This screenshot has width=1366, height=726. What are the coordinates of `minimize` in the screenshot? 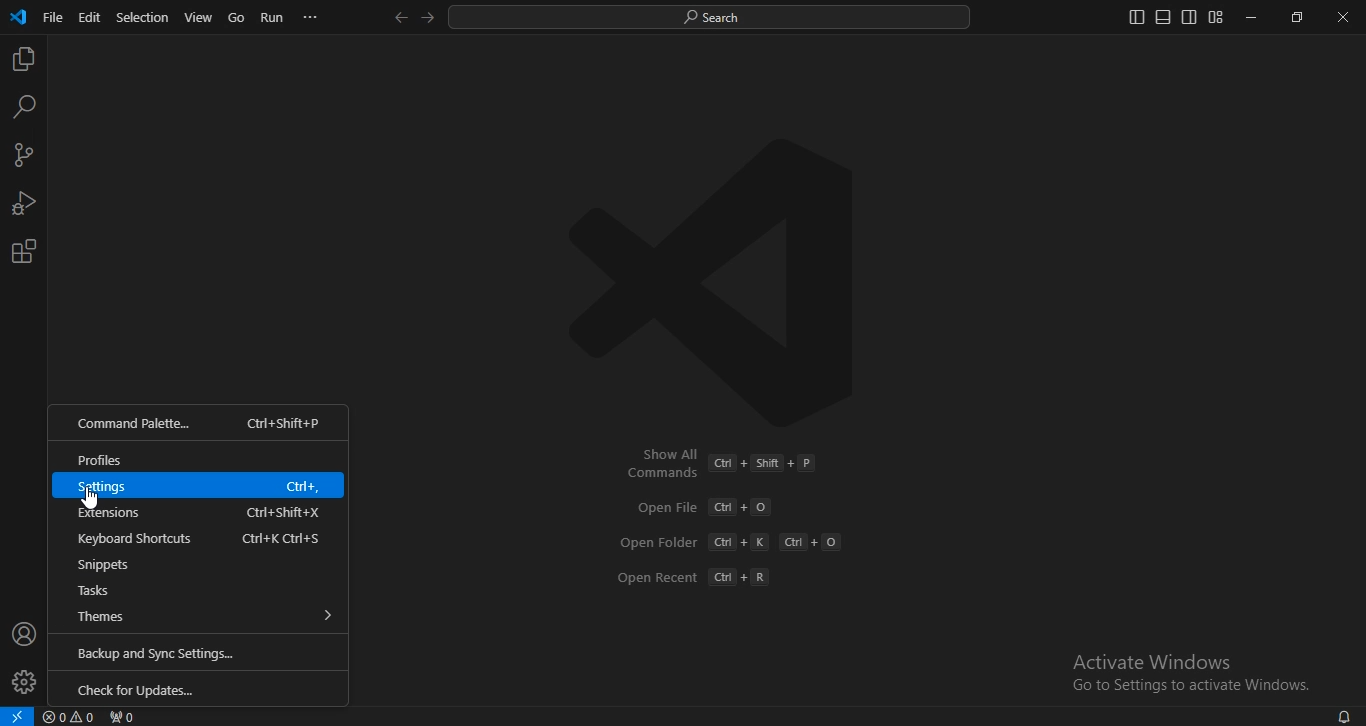 It's located at (1248, 18).